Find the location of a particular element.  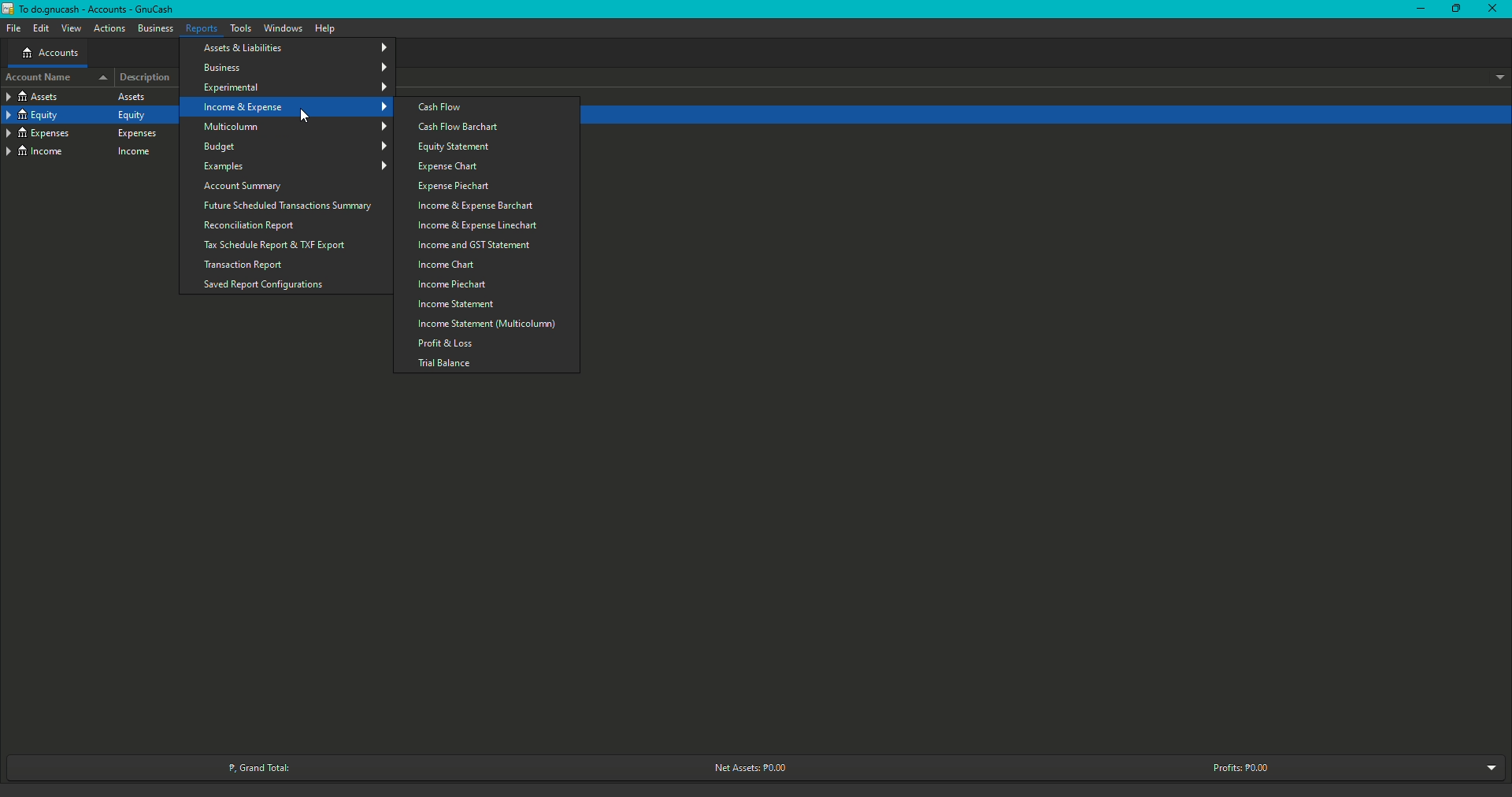

Income Piechart is located at coordinates (455, 285).